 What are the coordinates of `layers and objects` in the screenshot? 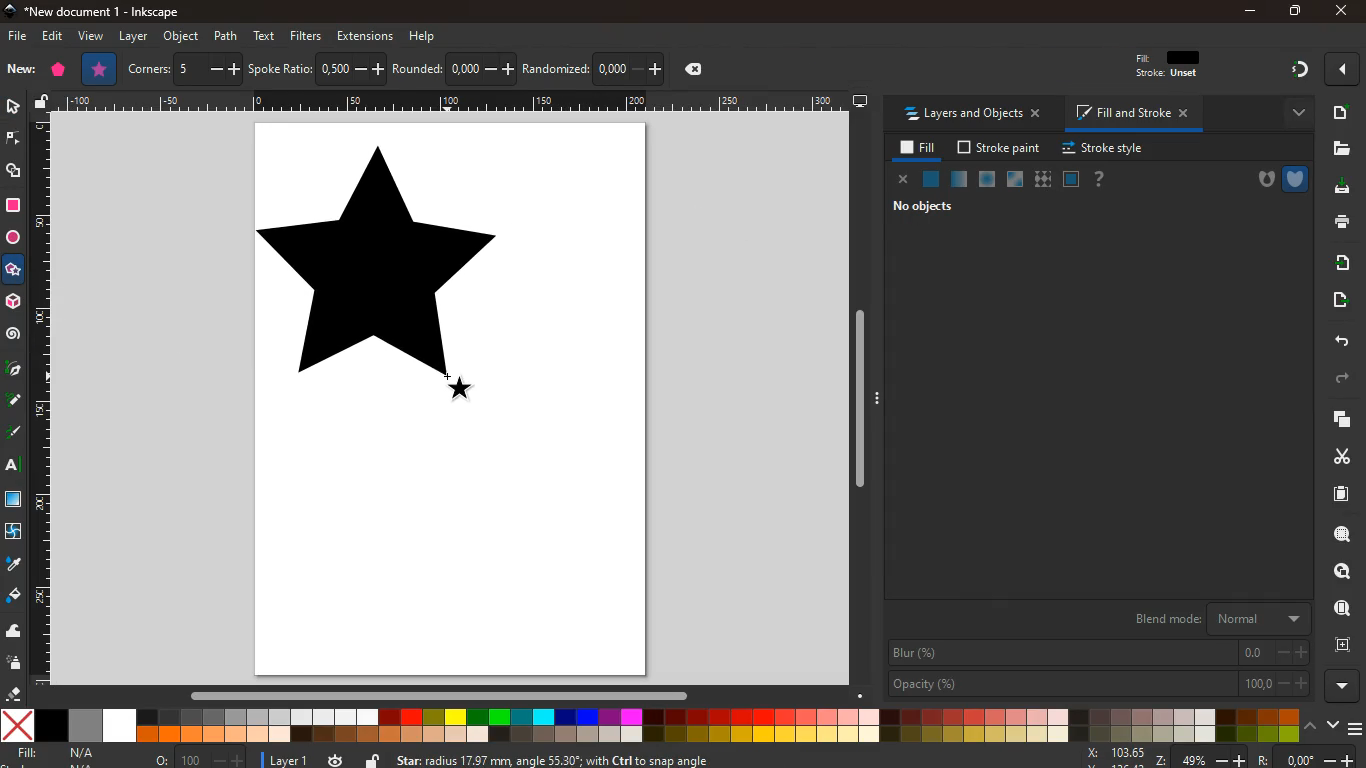 It's located at (972, 114).